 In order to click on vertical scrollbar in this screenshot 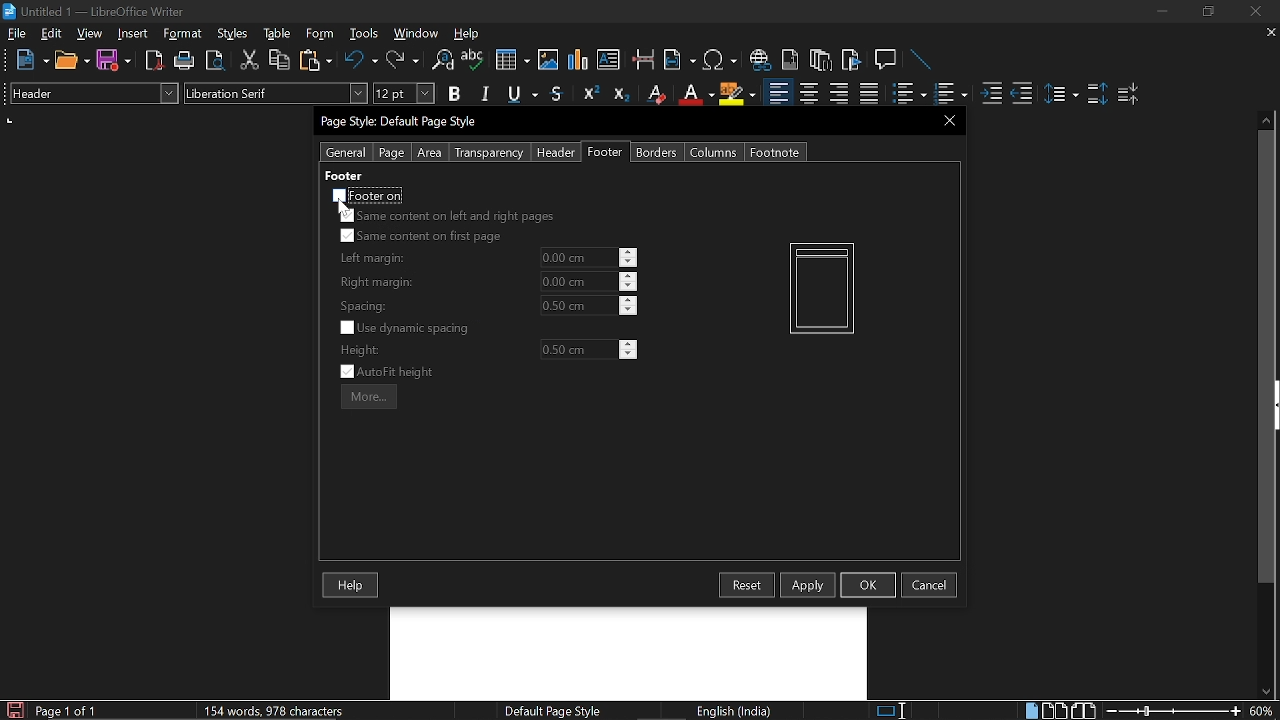, I will do `click(1262, 357)`.